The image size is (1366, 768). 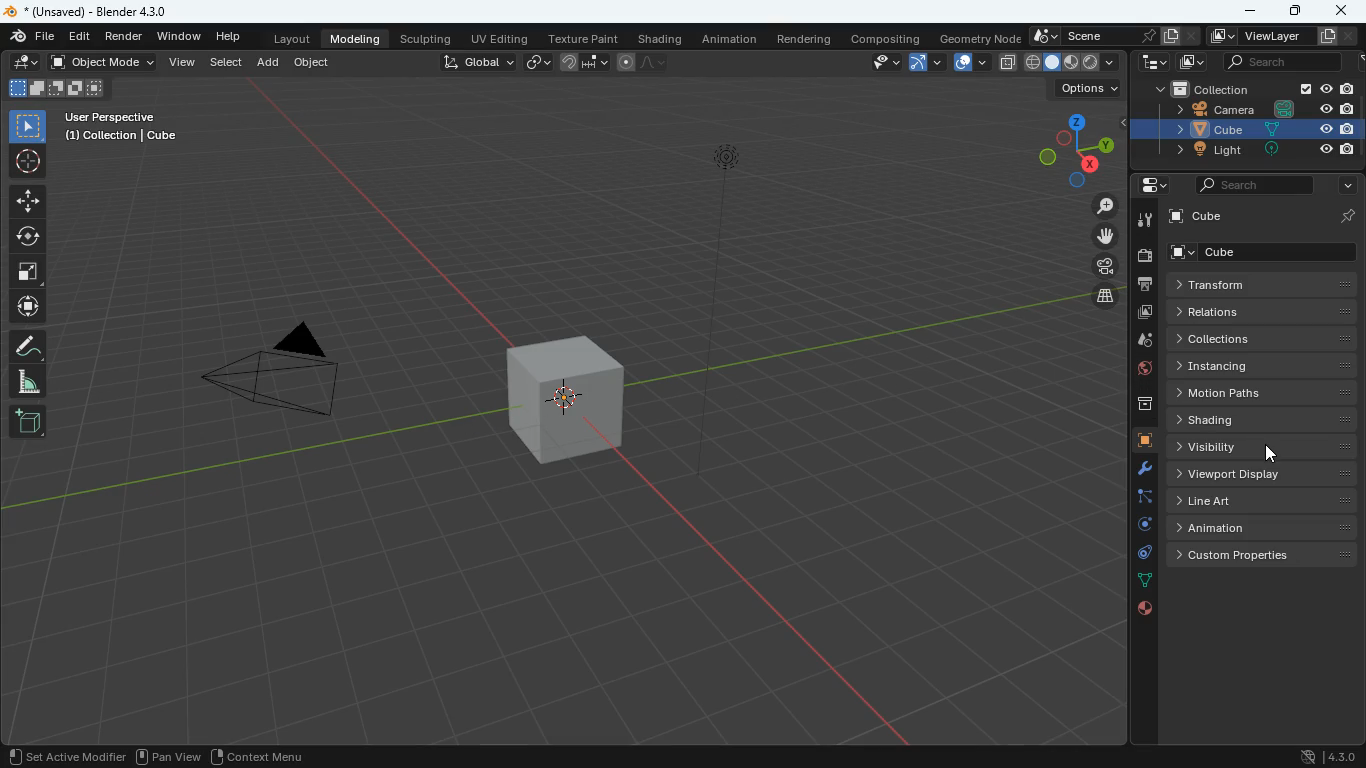 What do you see at coordinates (1140, 579) in the screenshot?
I see `connections` at bounding box center [1140, 579].